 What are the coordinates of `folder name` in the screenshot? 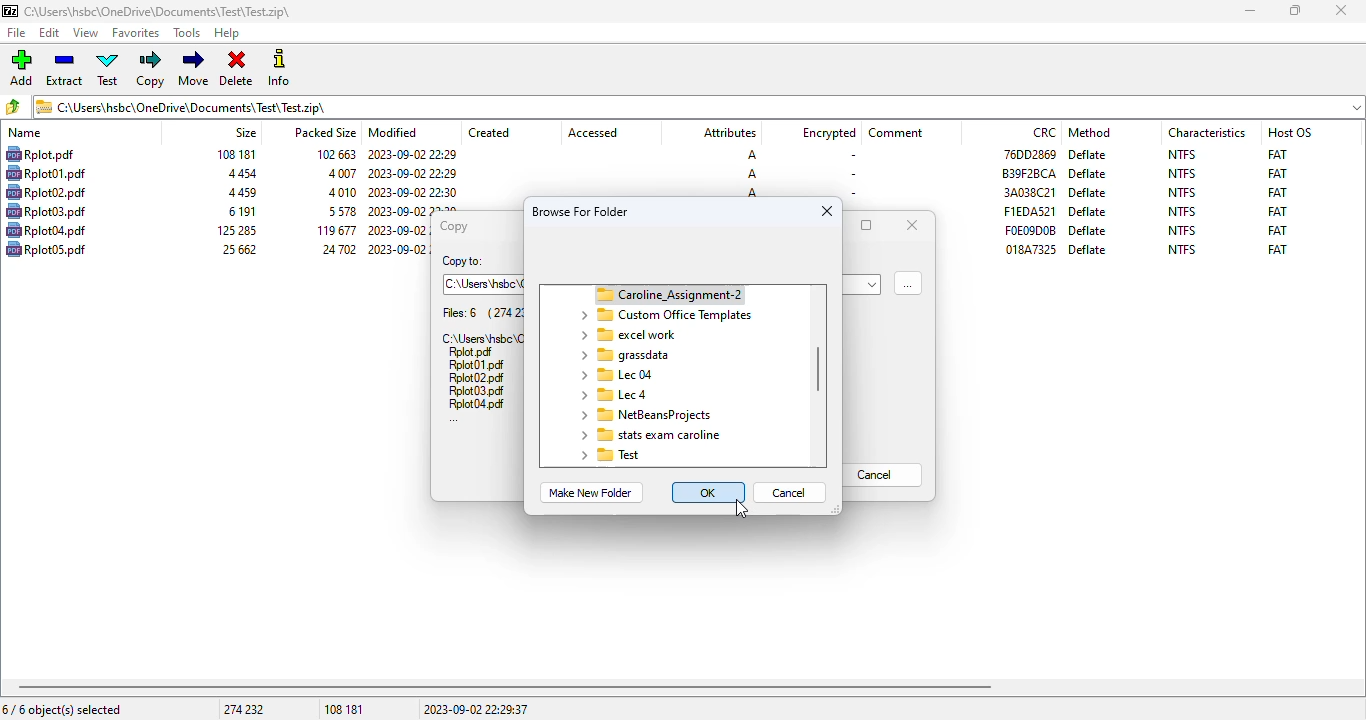 It's located at (614, 374).